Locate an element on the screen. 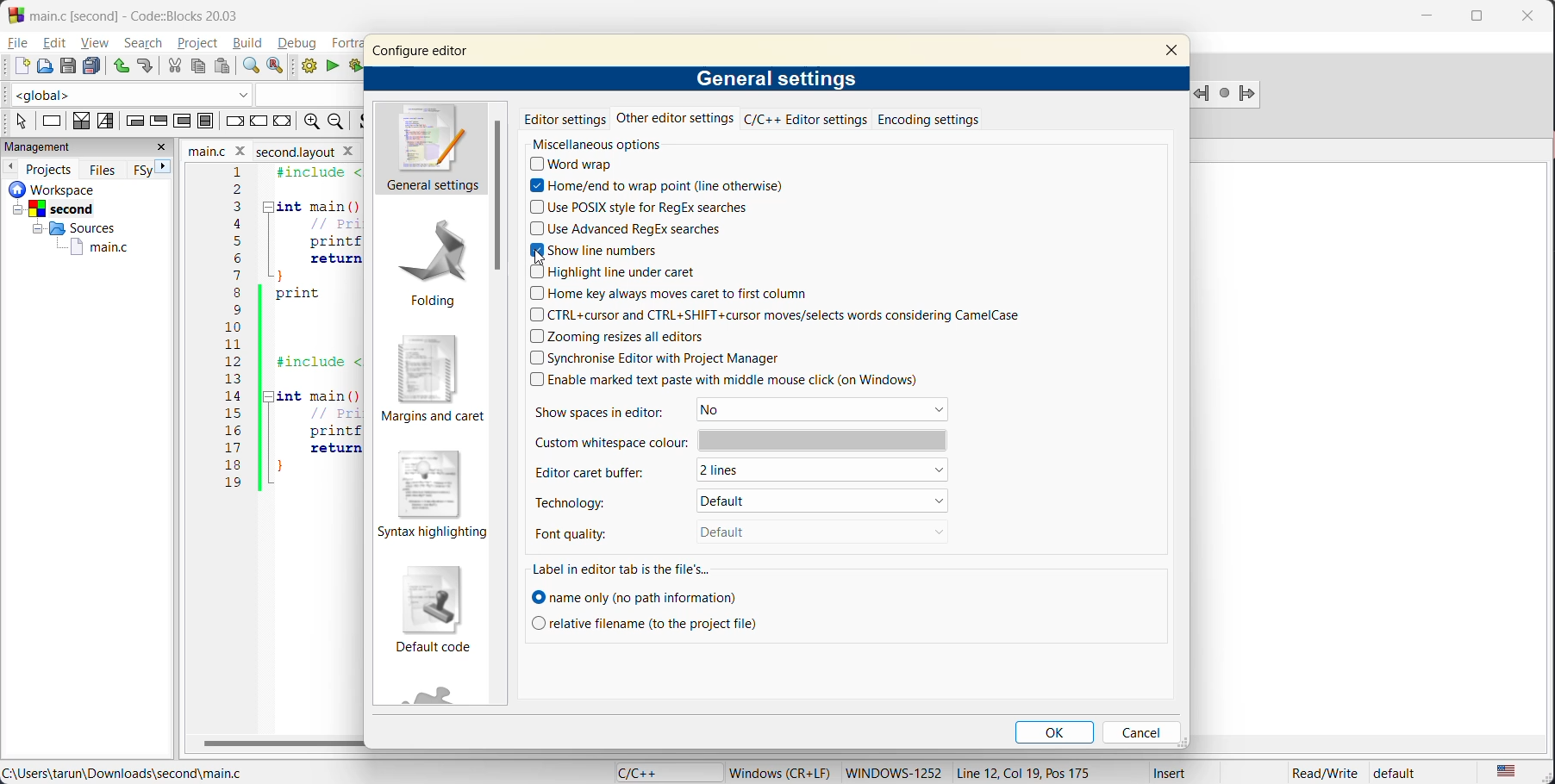 The width and height of the screenshot is (1555, 784). close is located at coordinates (1175, 51).